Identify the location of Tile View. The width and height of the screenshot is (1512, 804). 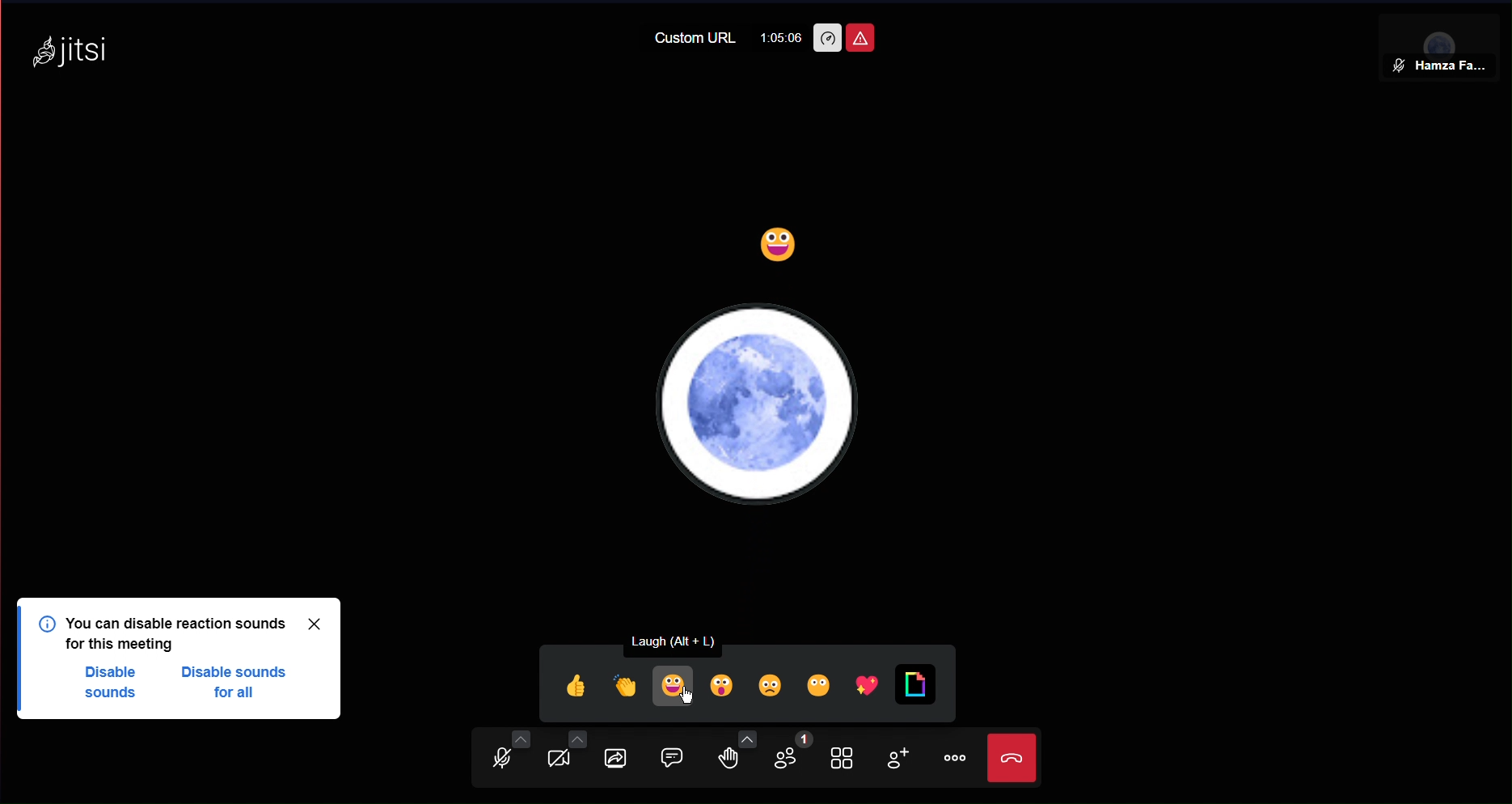
(847, 760).